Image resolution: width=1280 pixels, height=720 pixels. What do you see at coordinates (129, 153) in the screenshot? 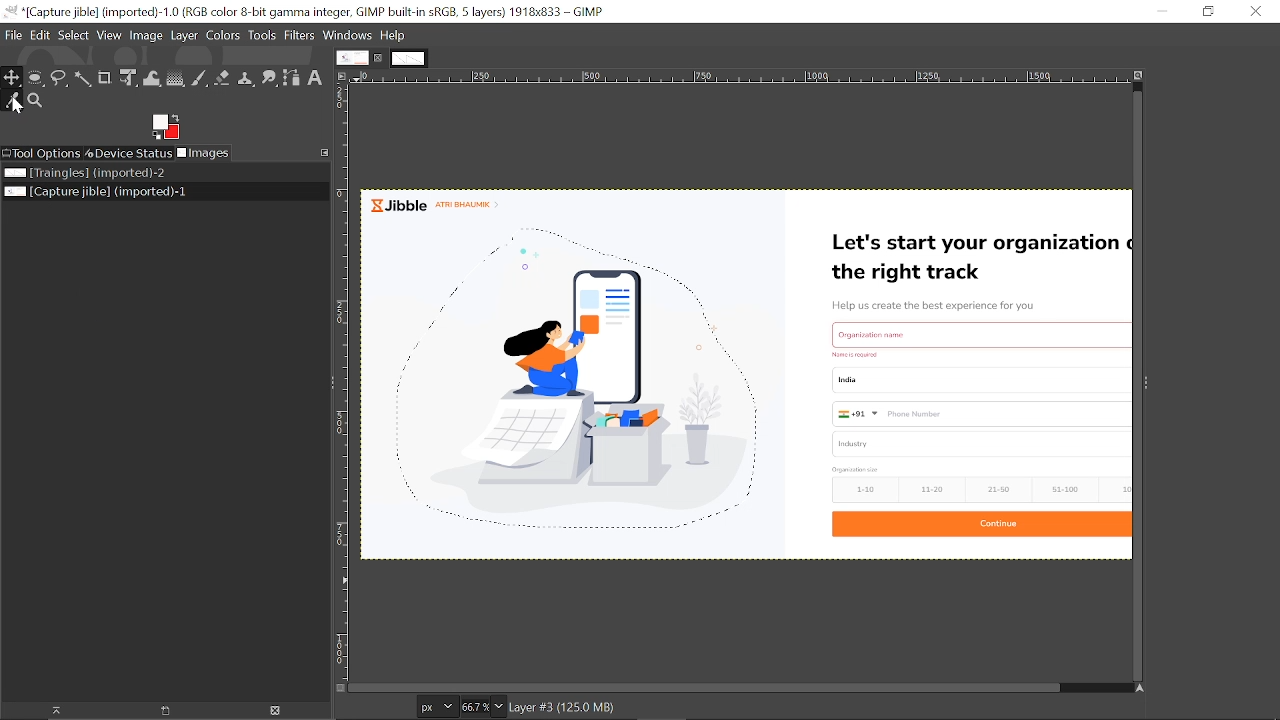
I see `Device status` at bounding box center [129, 153].